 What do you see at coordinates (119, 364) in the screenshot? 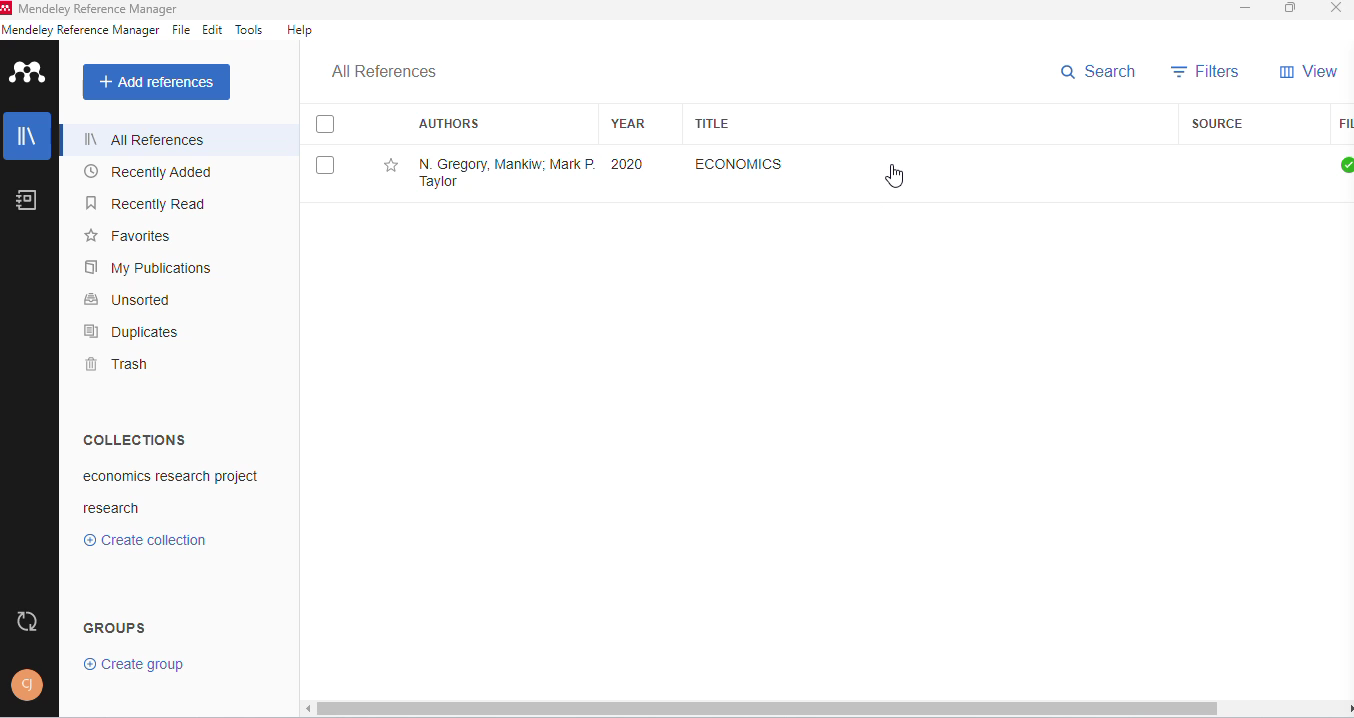
I see `trash` at bounding box center [119, 364].